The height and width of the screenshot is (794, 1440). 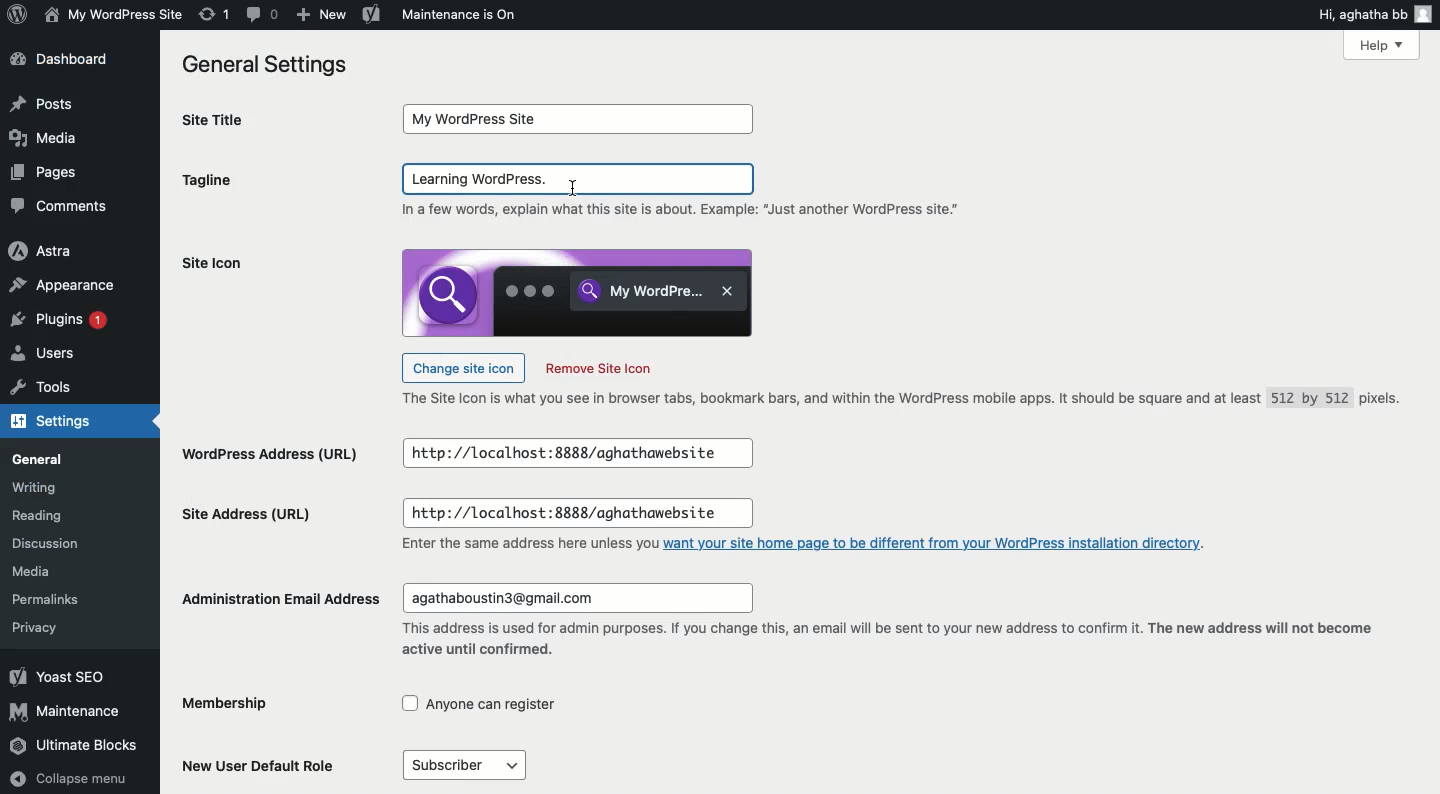 I want to click on checkbox, so click(x=480, y=704).